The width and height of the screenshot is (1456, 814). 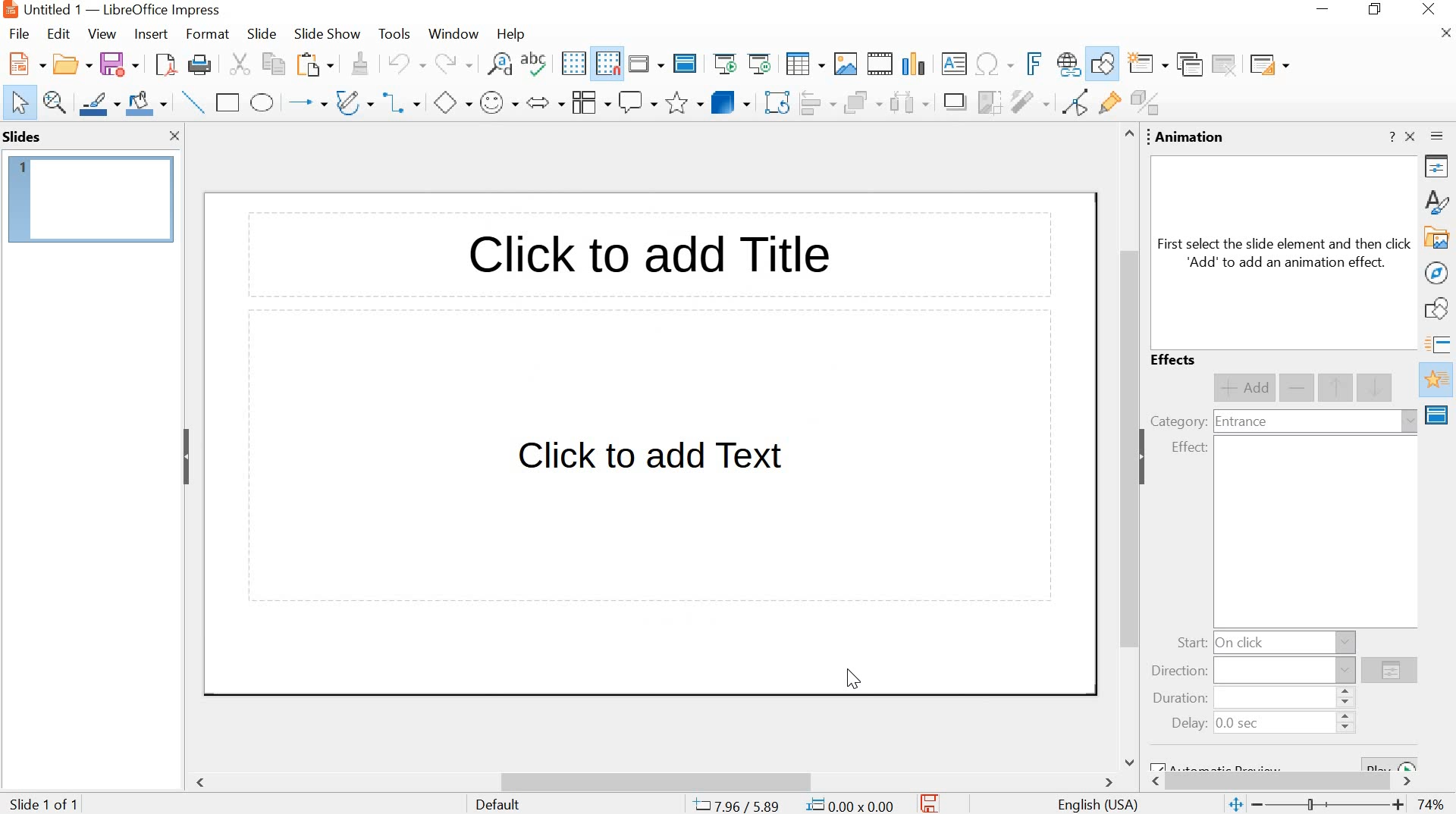 I want to click on display grid, so click(x=573, y=64).